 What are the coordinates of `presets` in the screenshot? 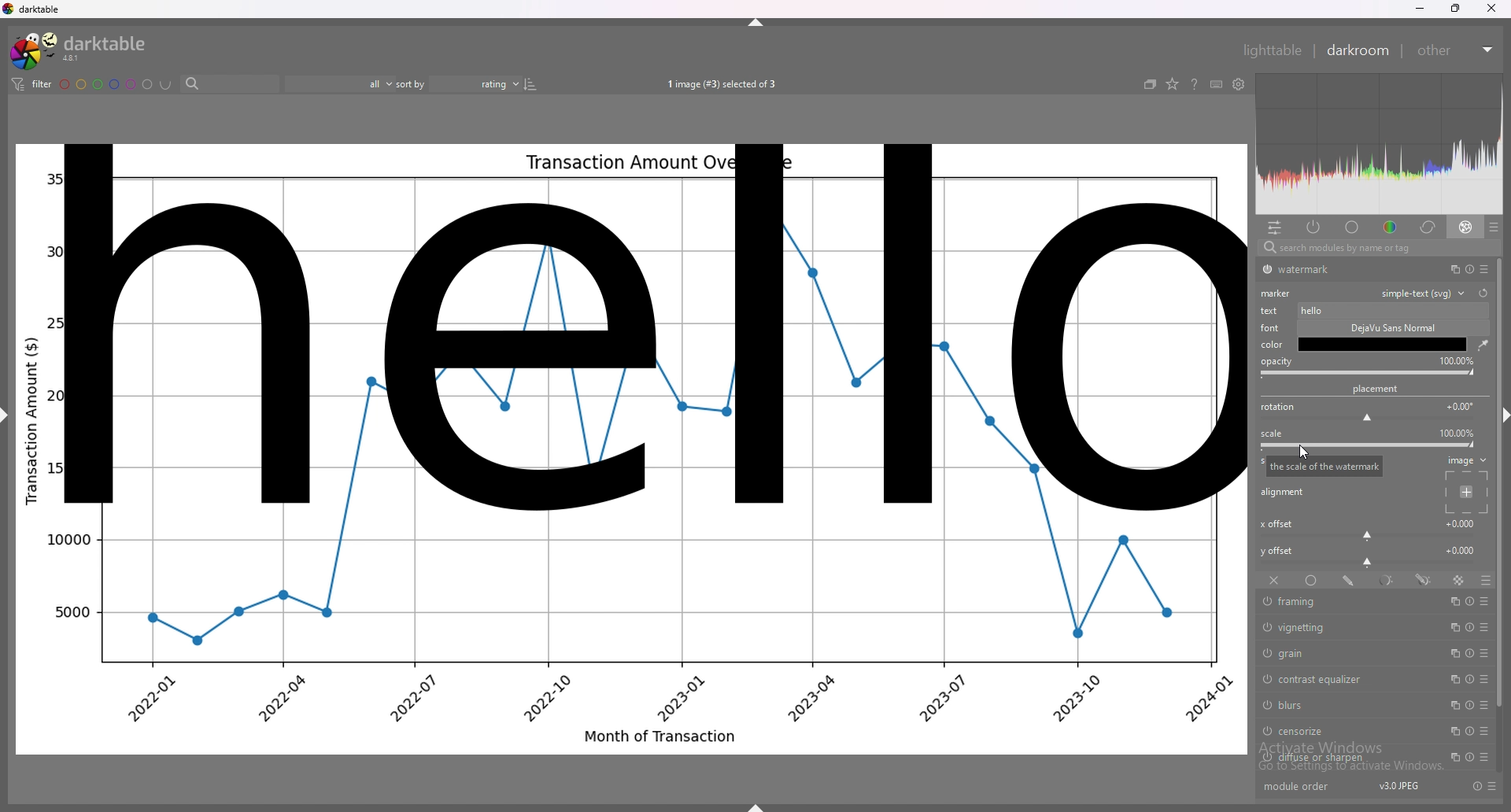 It's located at (1487, 706).